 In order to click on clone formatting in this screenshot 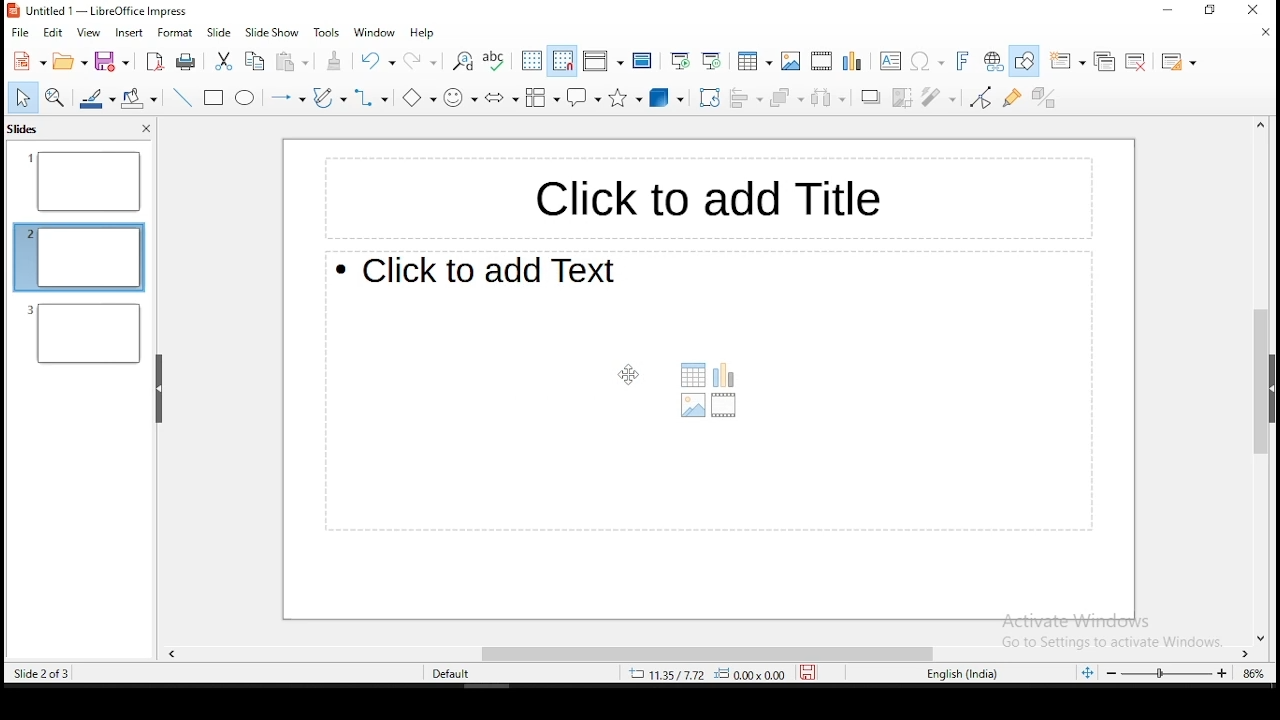, I will do `click(335, 60)`.